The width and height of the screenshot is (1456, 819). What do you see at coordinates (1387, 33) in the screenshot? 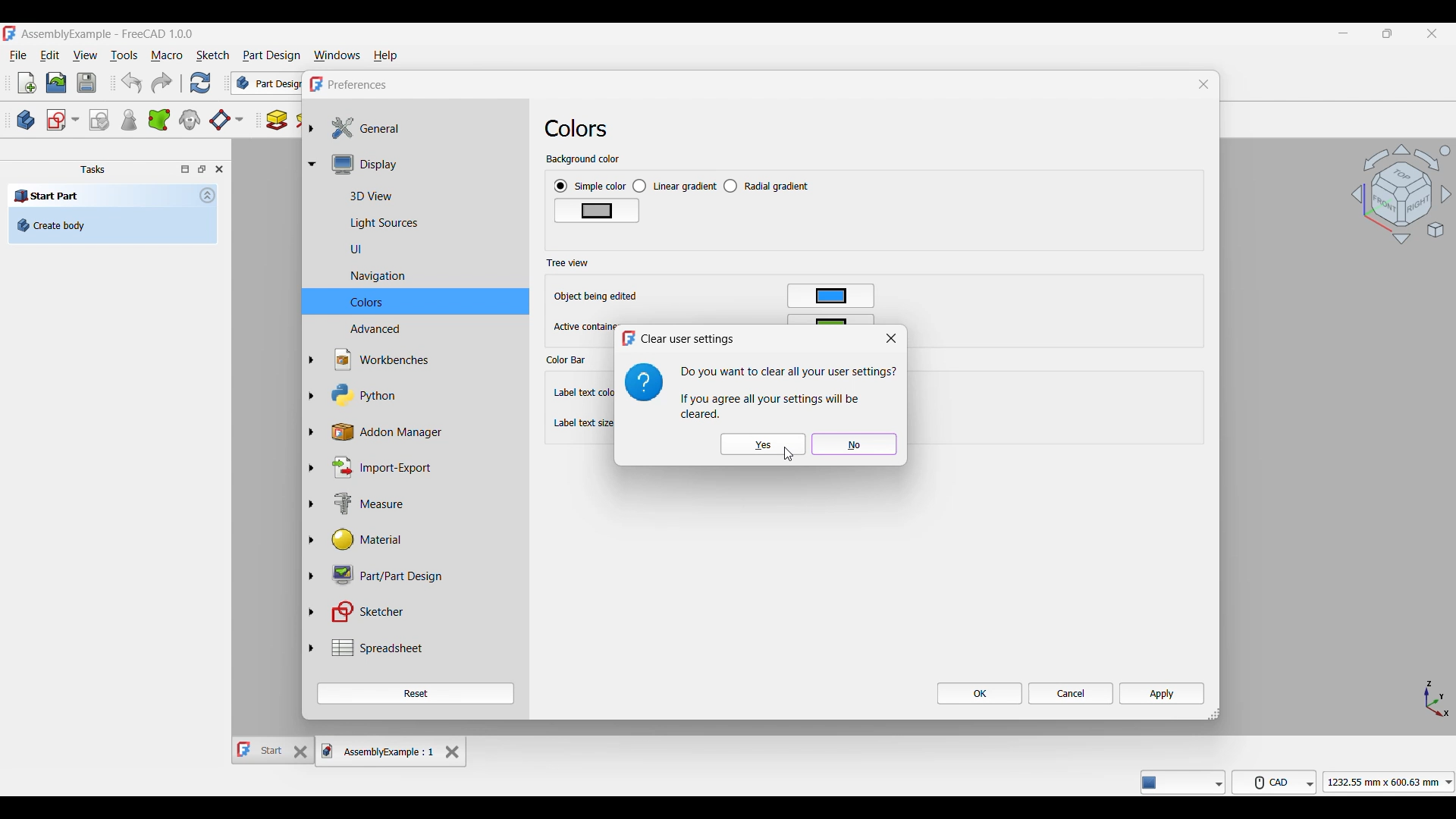
I see `Show in smaller tab` at bounding box center [1387, 33].